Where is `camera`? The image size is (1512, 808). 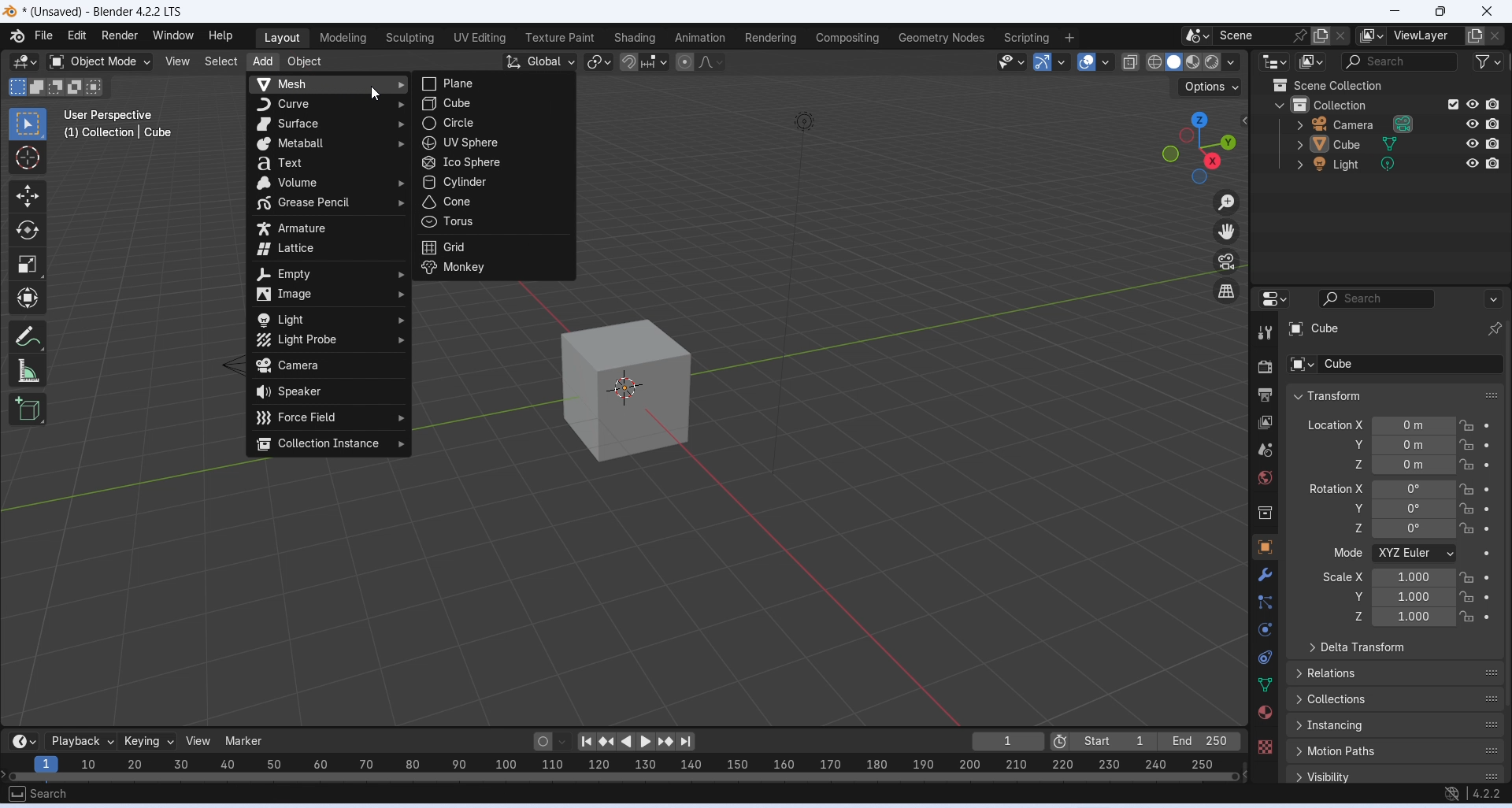 camera is located at coordinates (329, 367).